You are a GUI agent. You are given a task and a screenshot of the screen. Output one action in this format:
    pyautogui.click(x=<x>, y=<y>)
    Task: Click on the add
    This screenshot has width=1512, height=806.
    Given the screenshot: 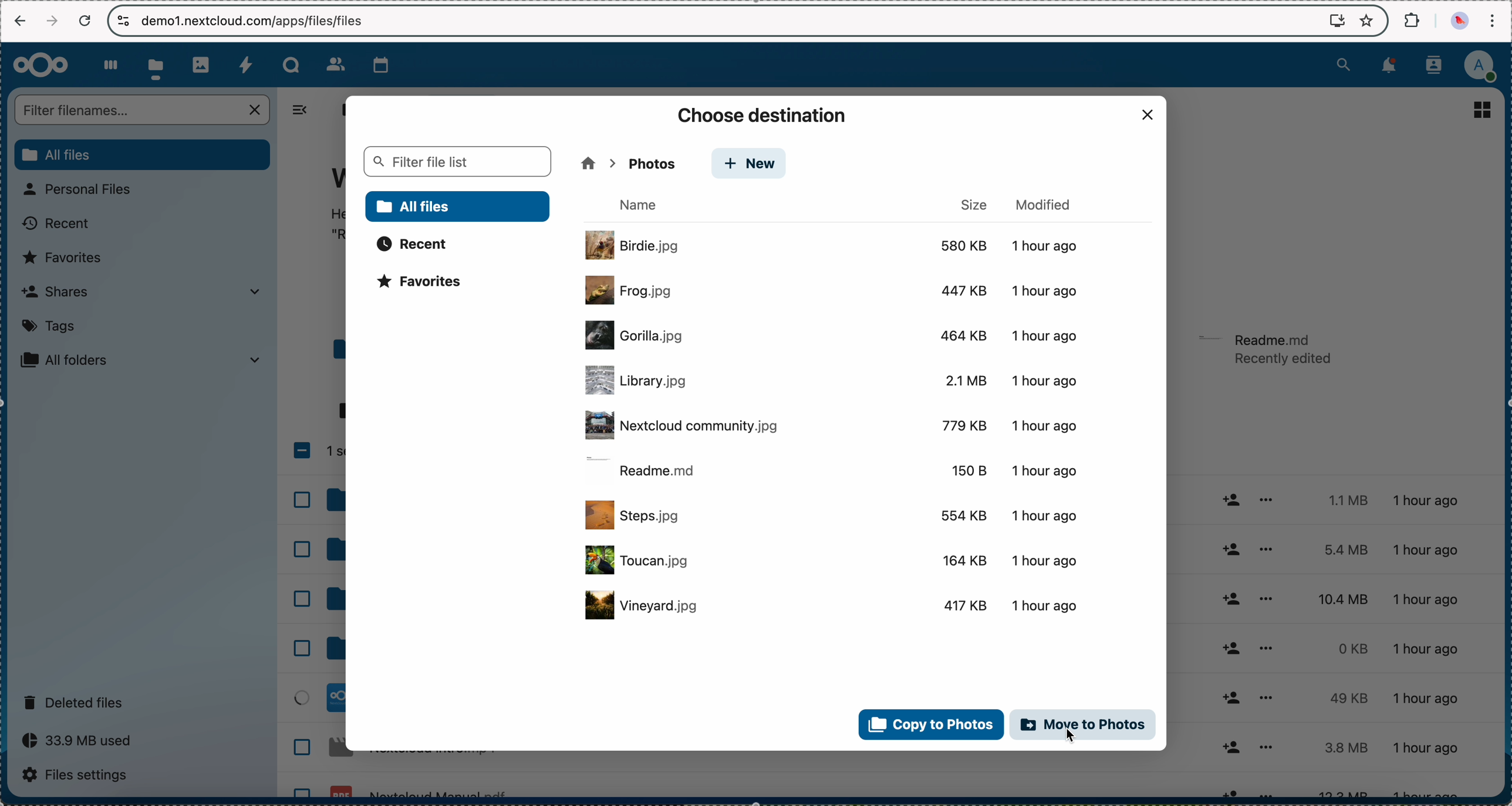 What is the action you would take?
    pyautogui.click(x=1232, y=641)
    